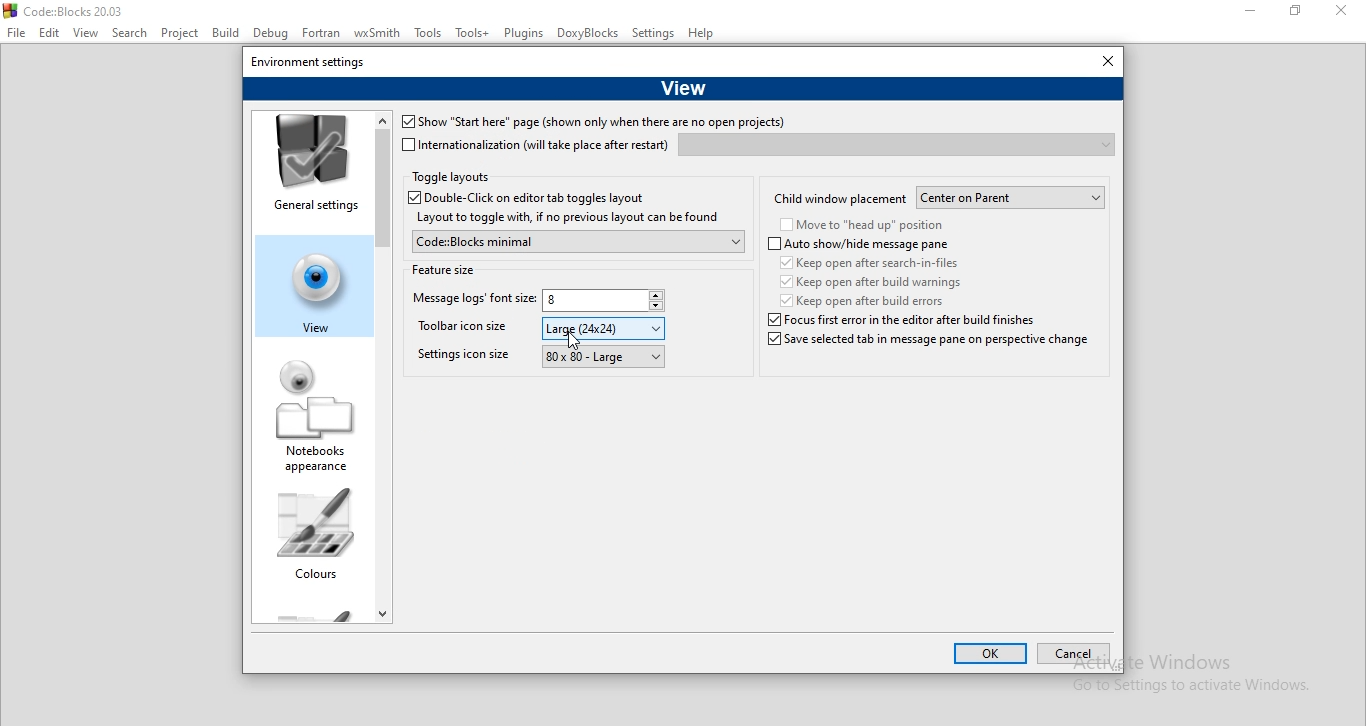 Image resolution: width=1366 pixels, height=726 pixels. What do you see at coordinates (49, 33) in the screenshot?
I see `Edit` at bounding box center [49, 33].